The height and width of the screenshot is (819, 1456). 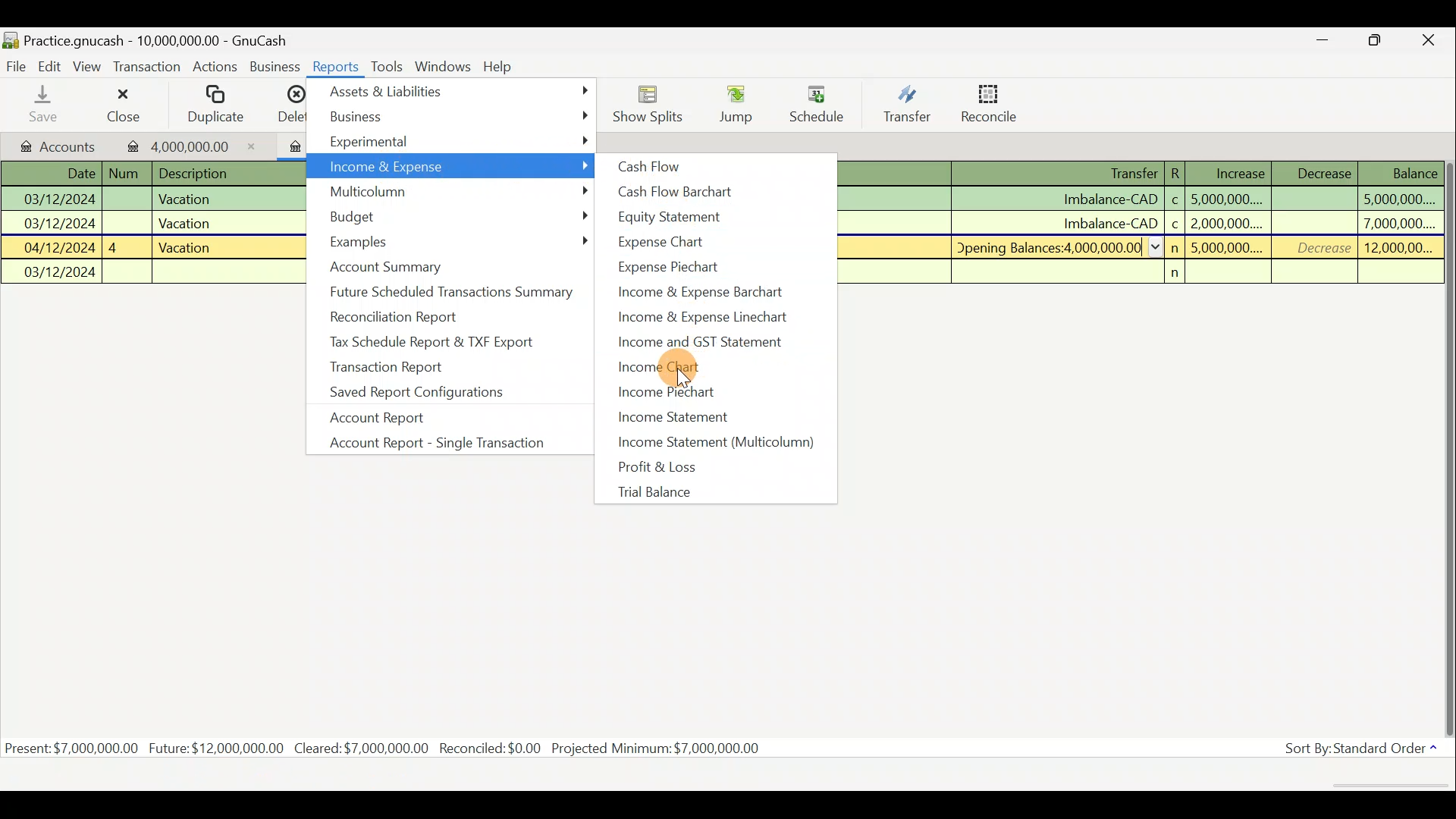 What do you see at coordinates (675, 367) in the screenshot?
I see `Income chart` at bounding box center [675, 367].